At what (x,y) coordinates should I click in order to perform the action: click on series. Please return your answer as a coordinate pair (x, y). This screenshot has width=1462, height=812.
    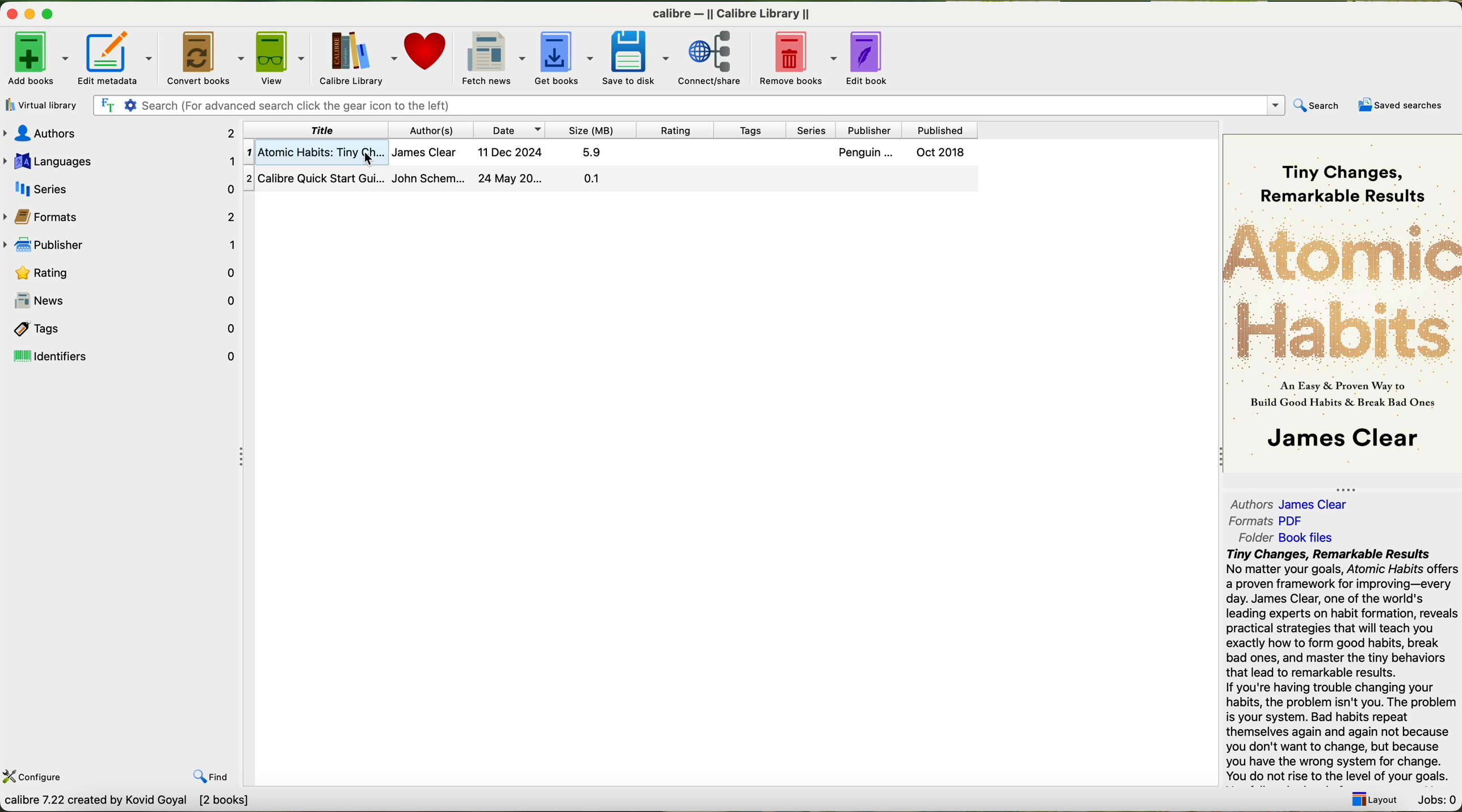
    Looking at the image, I should click on (121, 187).